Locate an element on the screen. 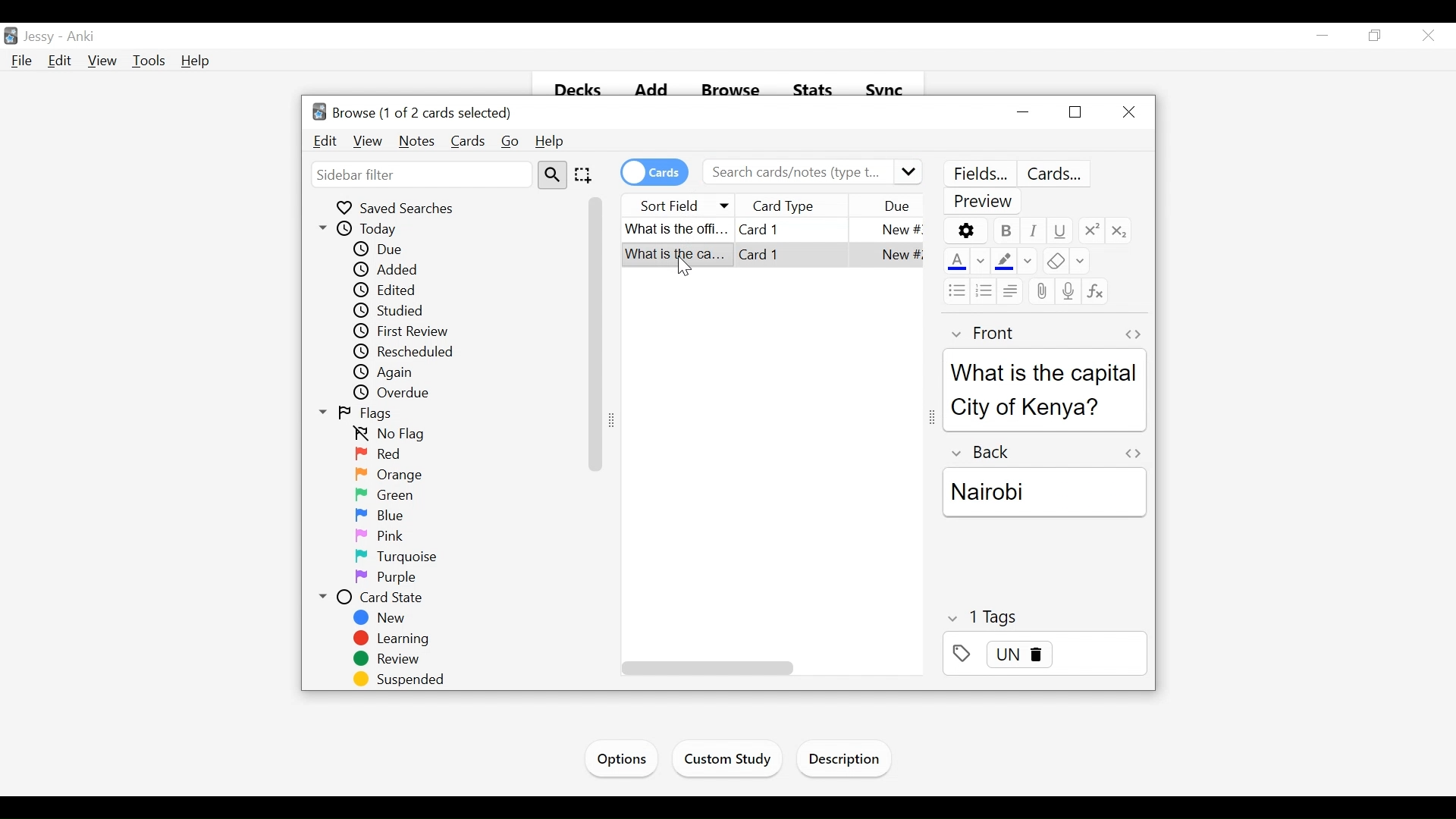 This screenshot has height=819, width=1456. Help is located at coordinates (551, 142).